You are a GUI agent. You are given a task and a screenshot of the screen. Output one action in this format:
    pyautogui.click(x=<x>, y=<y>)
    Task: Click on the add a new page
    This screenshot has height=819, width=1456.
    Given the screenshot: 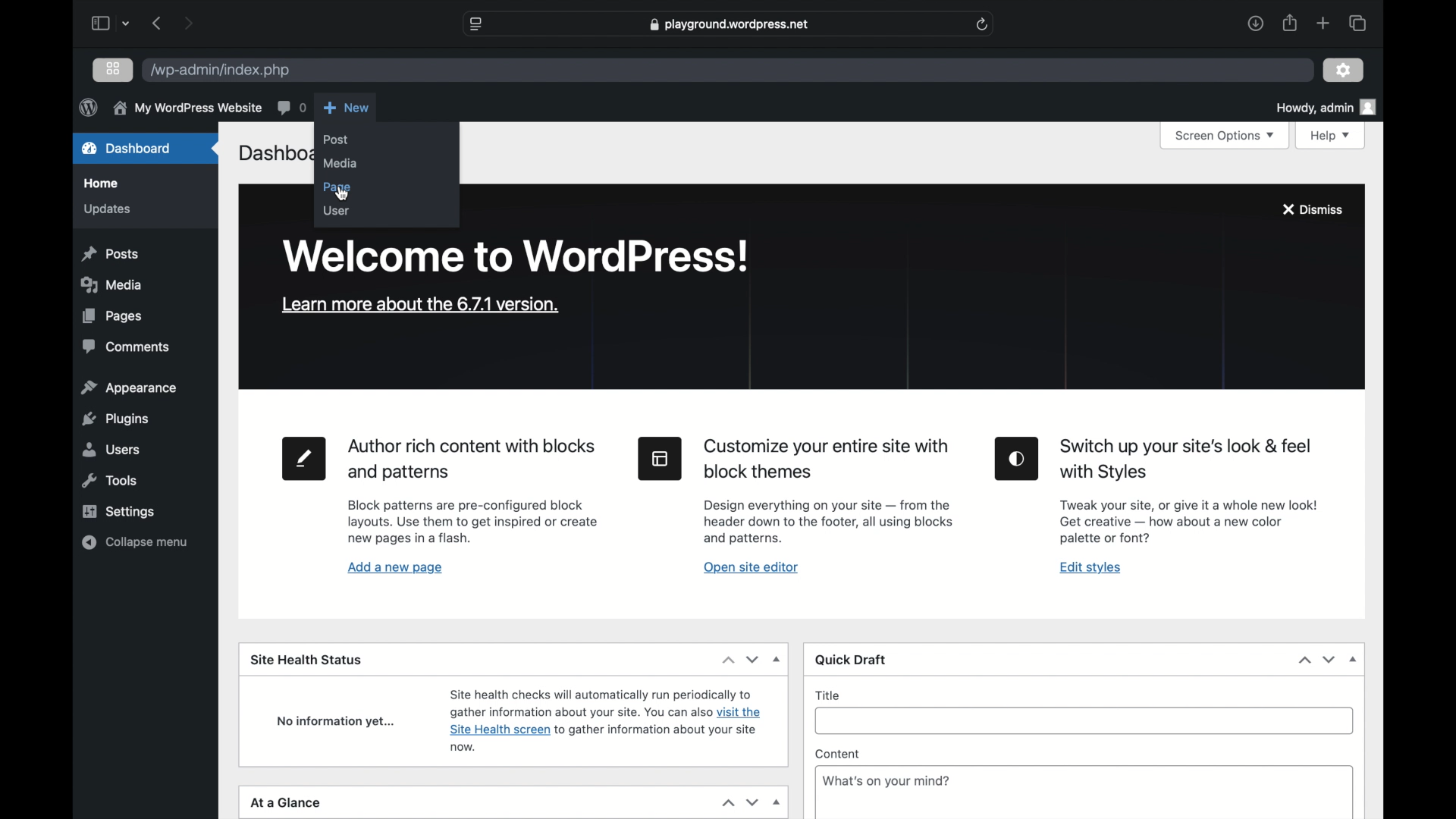 What is the action you would take?
    pyautogui.click(x=396, y=569)
    